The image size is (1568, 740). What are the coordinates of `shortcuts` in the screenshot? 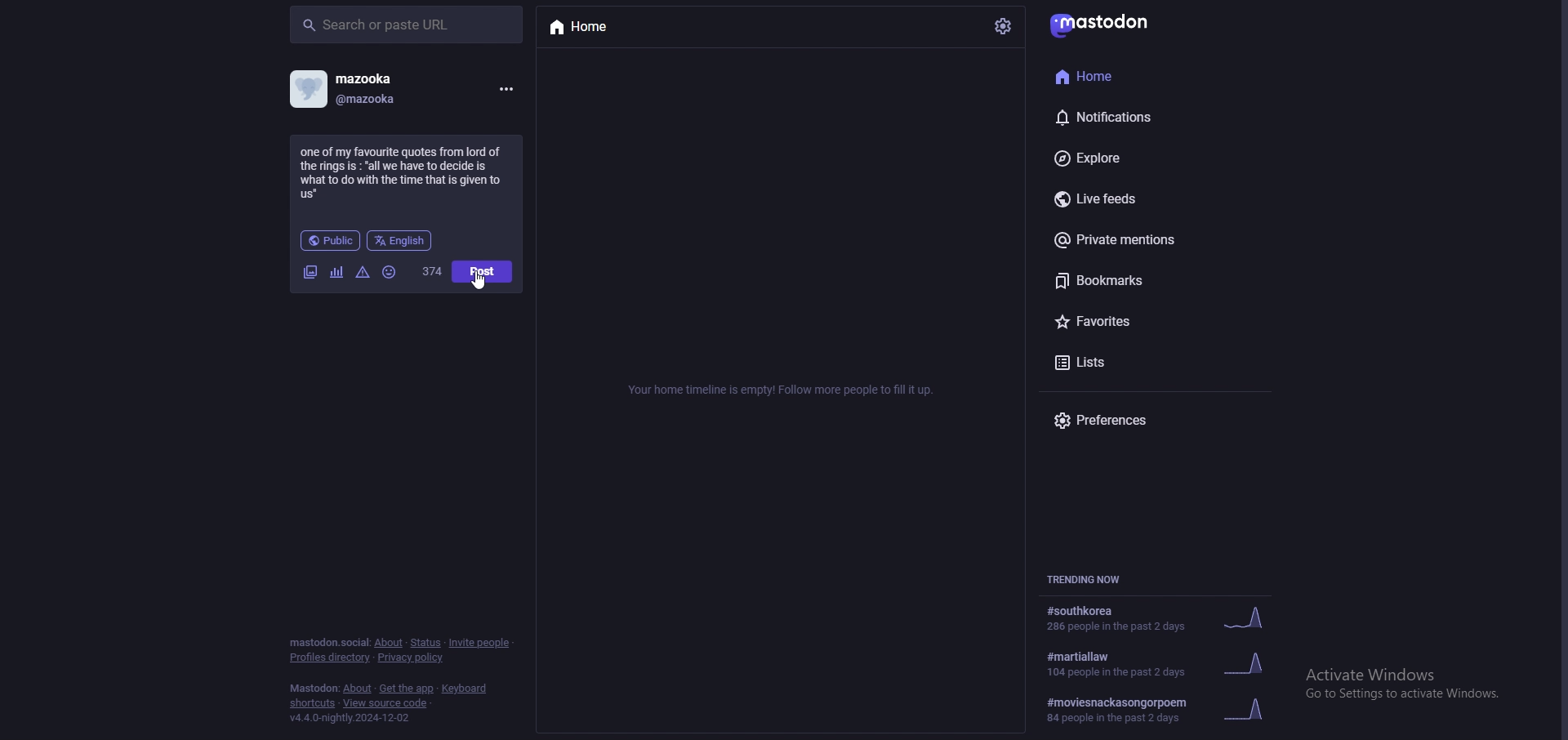 It's located at (311, 704).